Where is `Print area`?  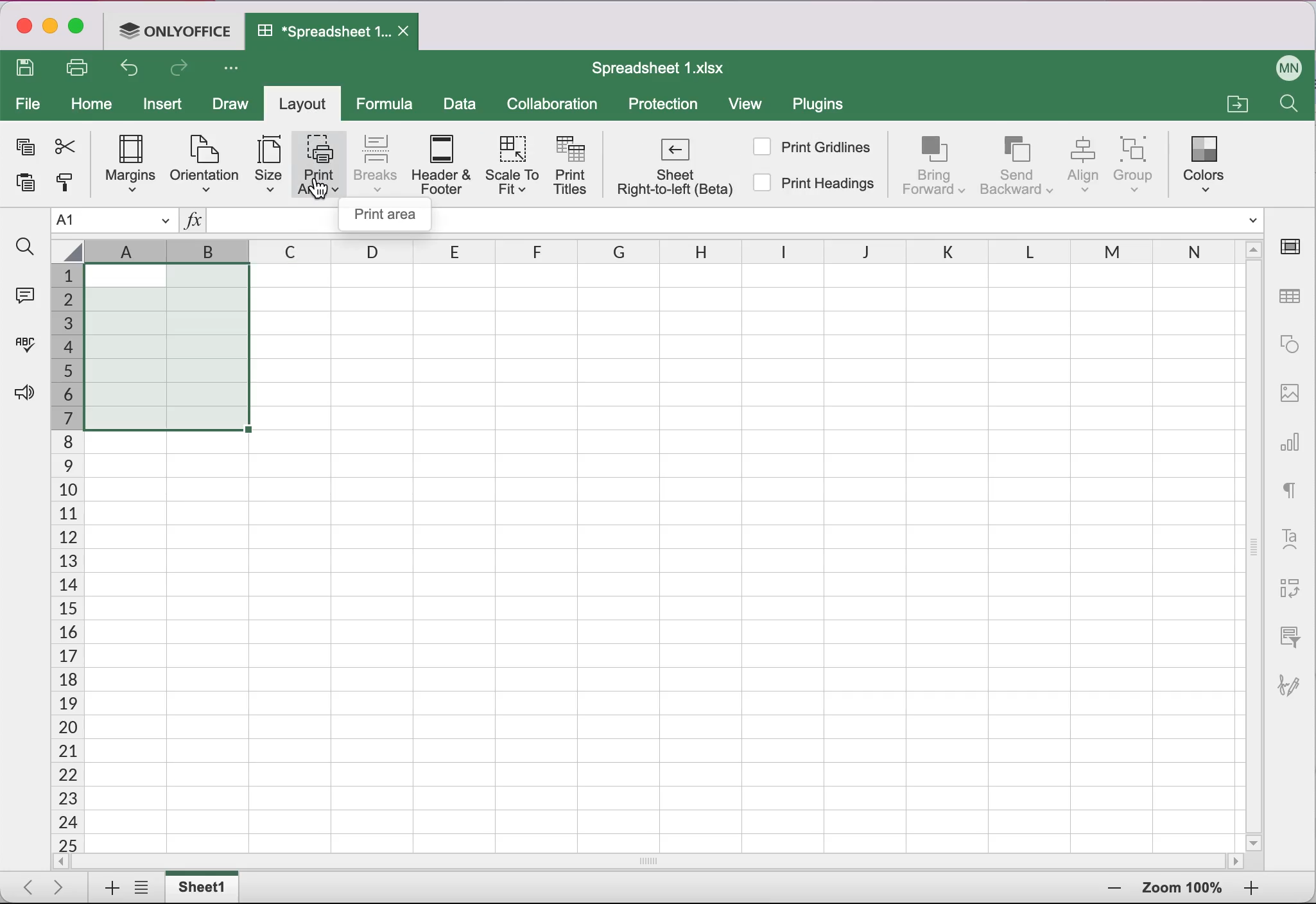 Print area is located at coordinates (384, 215).